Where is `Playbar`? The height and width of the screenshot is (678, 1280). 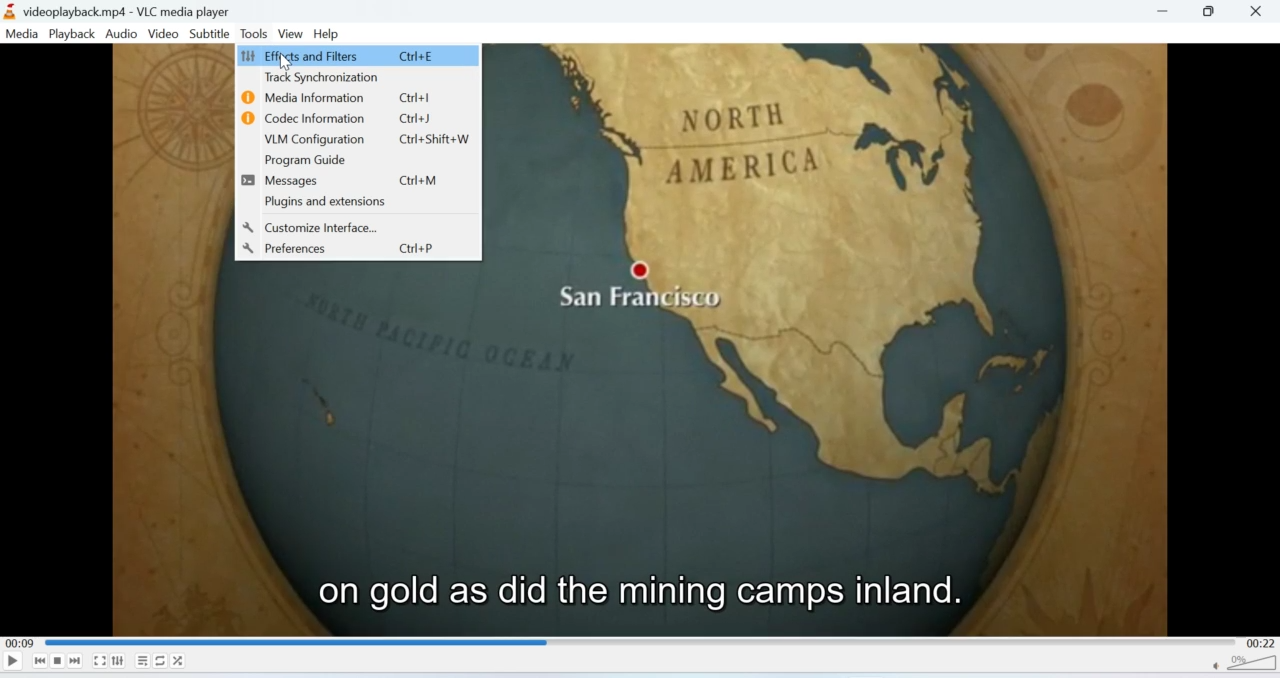 Playbar is located at coordinates (642, 642).